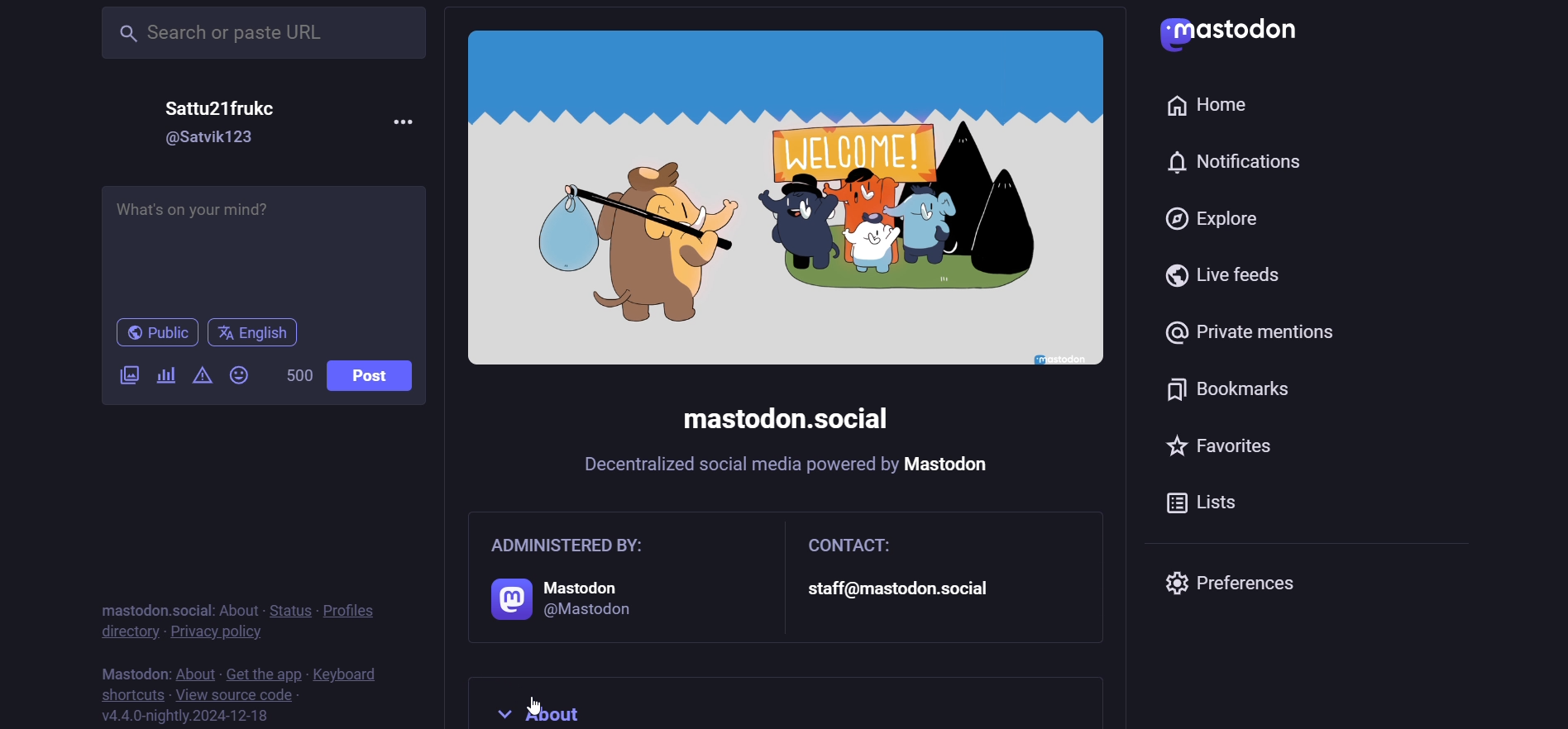 This screenshot has width=1568, height=729. Describe the element at coordinates (752, 709) in the screenshot. I see `about` at that location.